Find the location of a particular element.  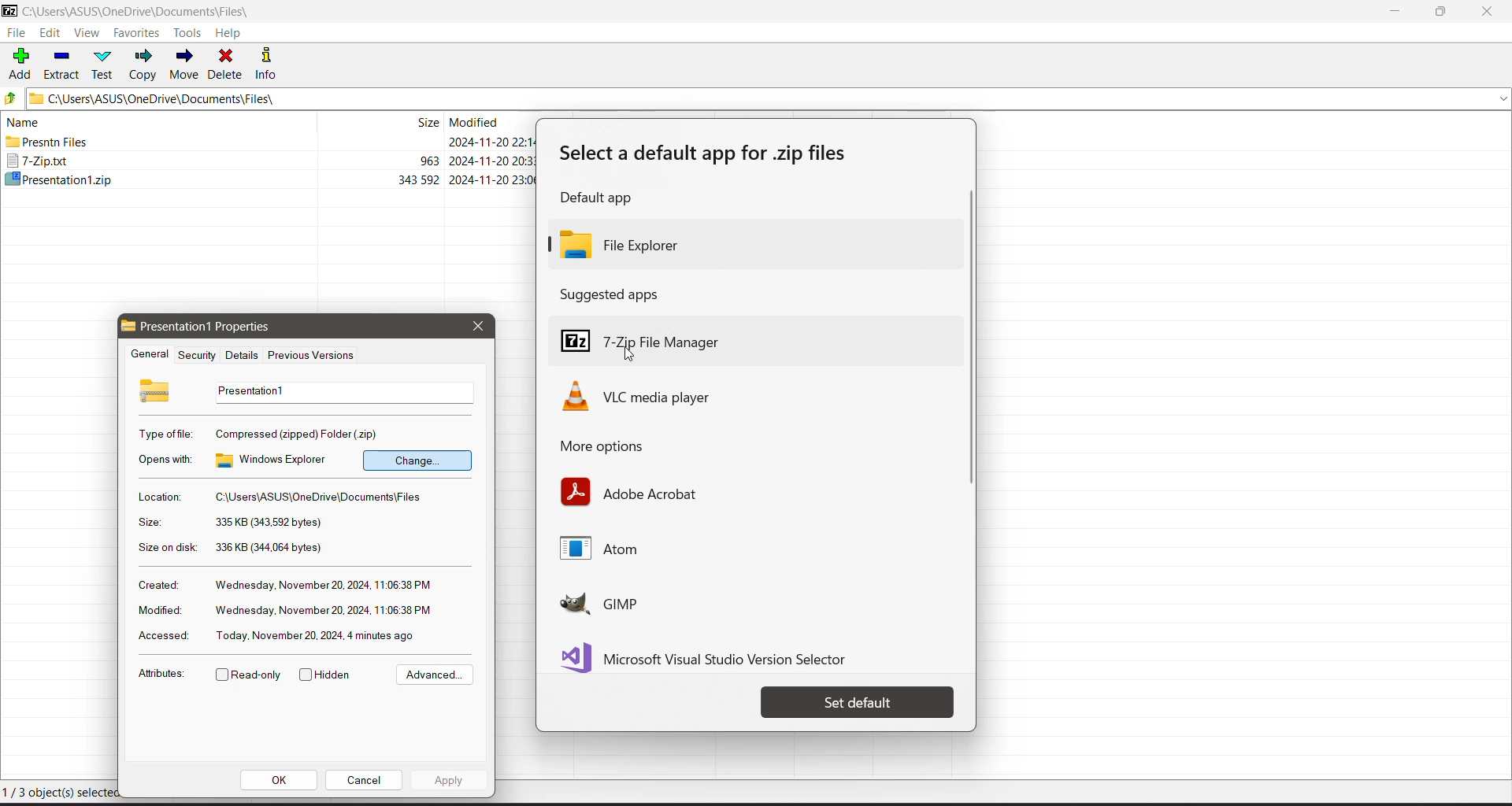

Suggested apps is located at coordinates (615, 294).